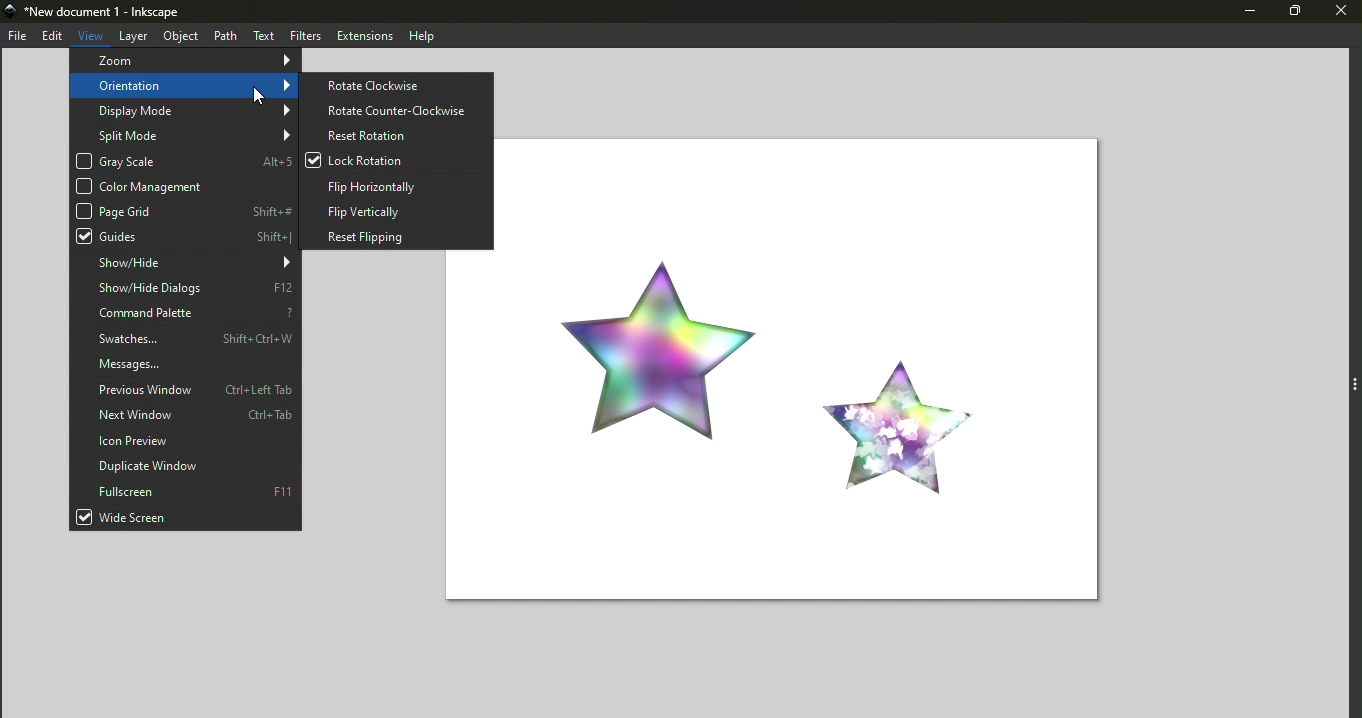 This screenshot has width=1362, height=718. I want to click on Rotate counter-clockwise, so click(396, 110).